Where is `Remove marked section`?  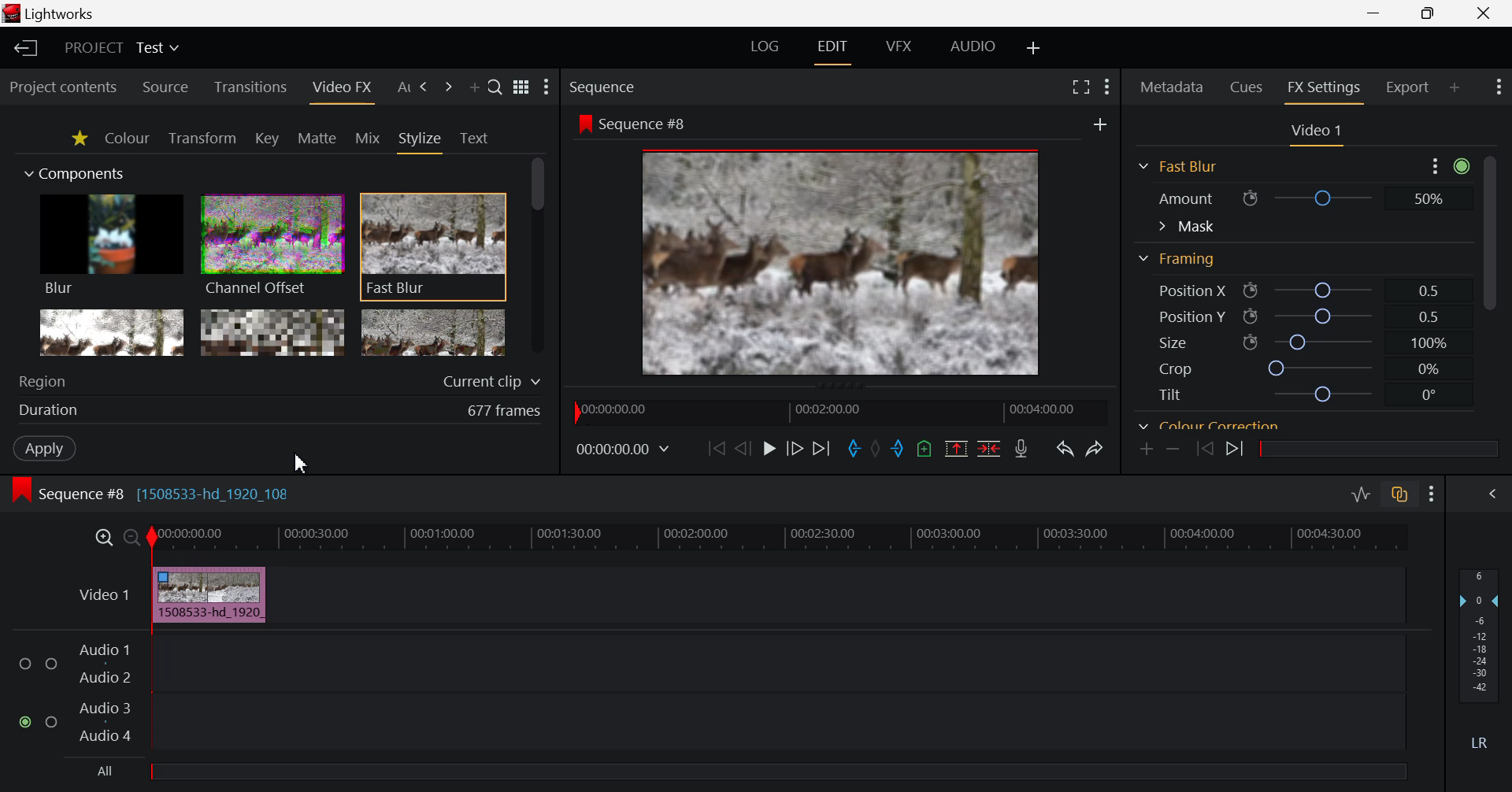 Remove marked section is located at coordinates (958, 450).